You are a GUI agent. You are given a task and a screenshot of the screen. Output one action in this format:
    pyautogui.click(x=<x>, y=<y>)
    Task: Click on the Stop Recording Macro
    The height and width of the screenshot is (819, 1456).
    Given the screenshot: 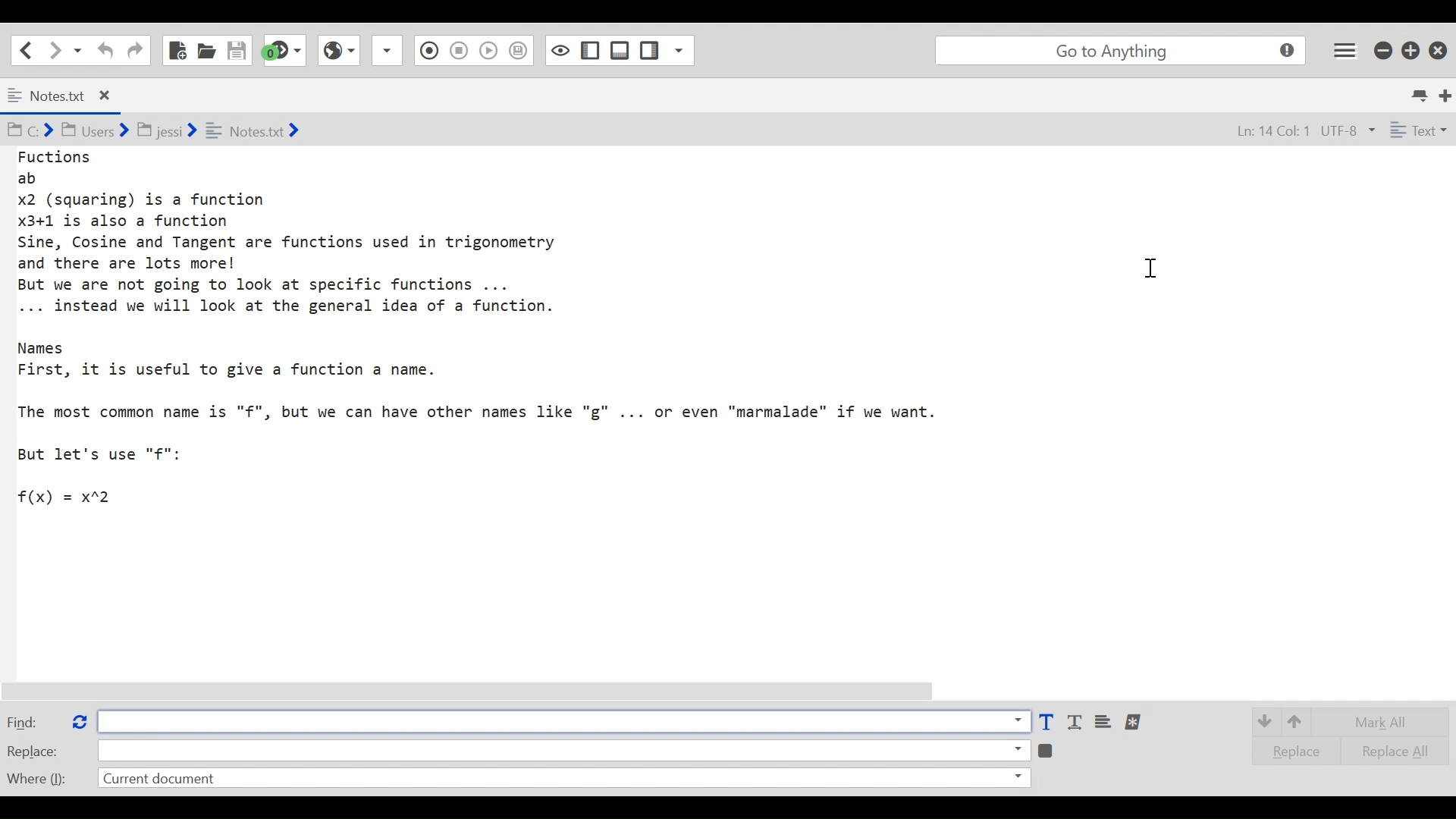 What is the action you would take?
    pyautogui.click(x=427, y=52)
    